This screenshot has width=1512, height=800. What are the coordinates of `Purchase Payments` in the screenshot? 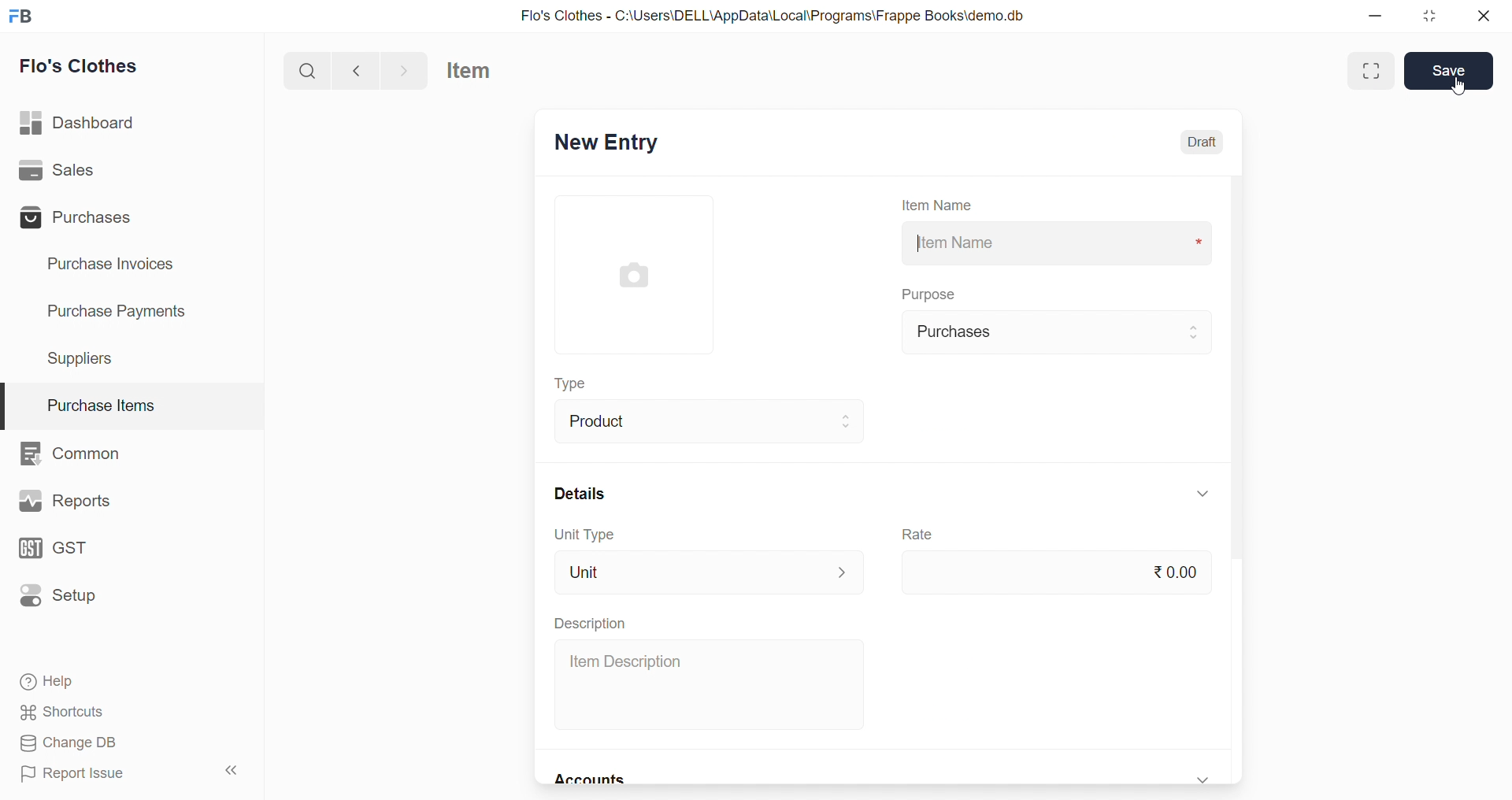 It's located at (122, 312).